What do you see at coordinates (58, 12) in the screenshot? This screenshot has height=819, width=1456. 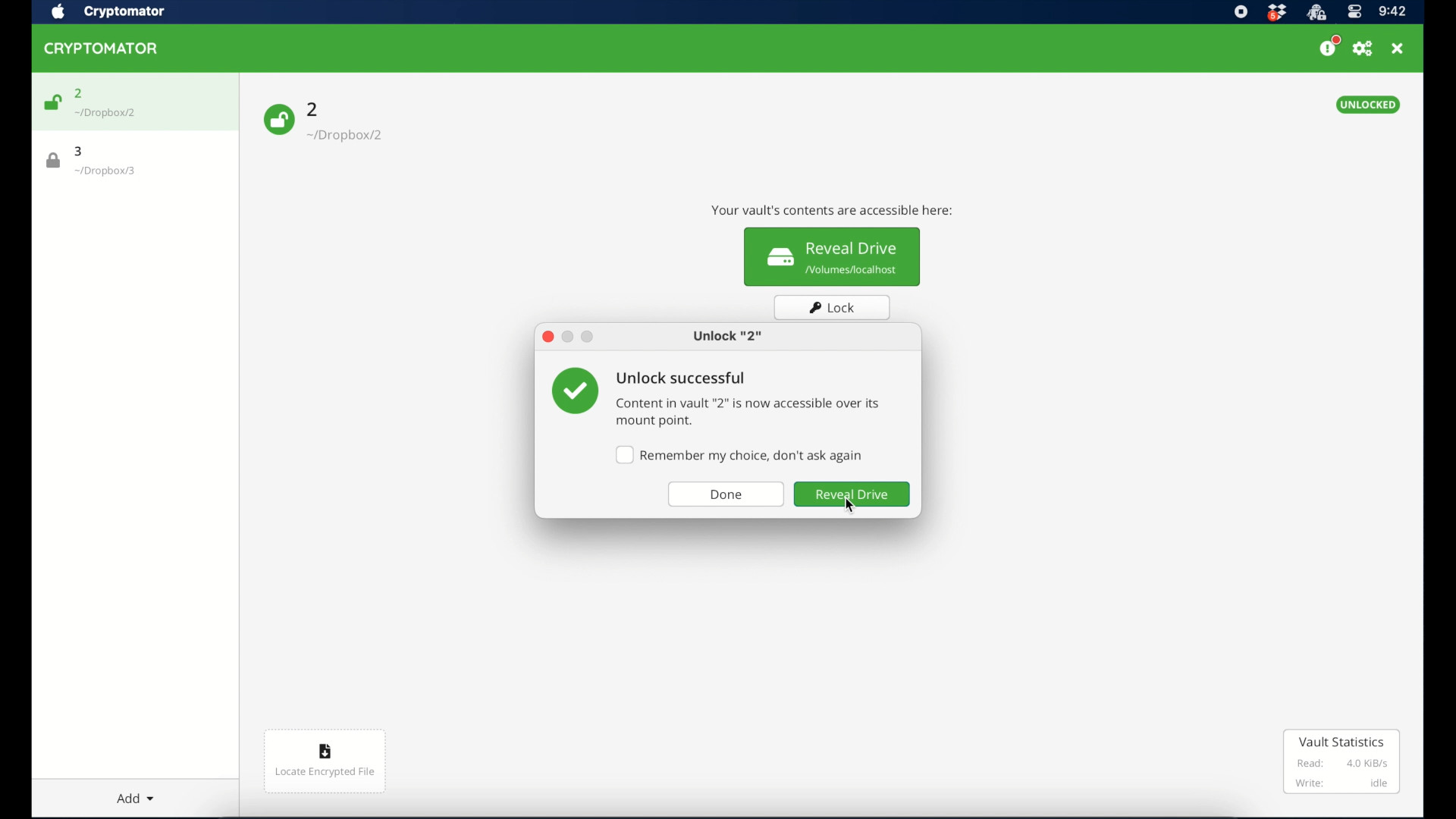 I see `apple icon` at bounding box center [58, 12].